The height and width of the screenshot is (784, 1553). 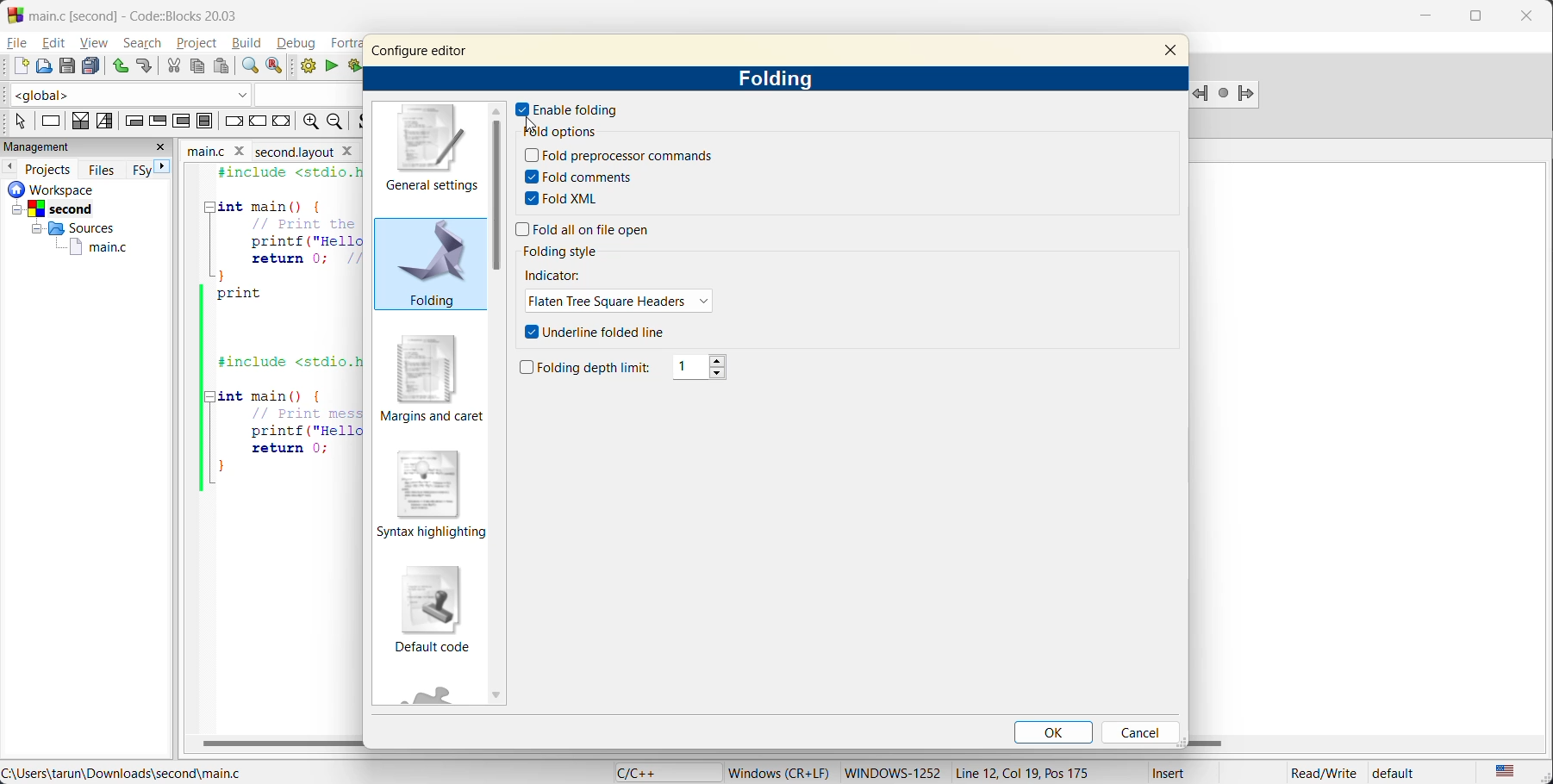 I want to click on close, so click(x=1172, y=53).